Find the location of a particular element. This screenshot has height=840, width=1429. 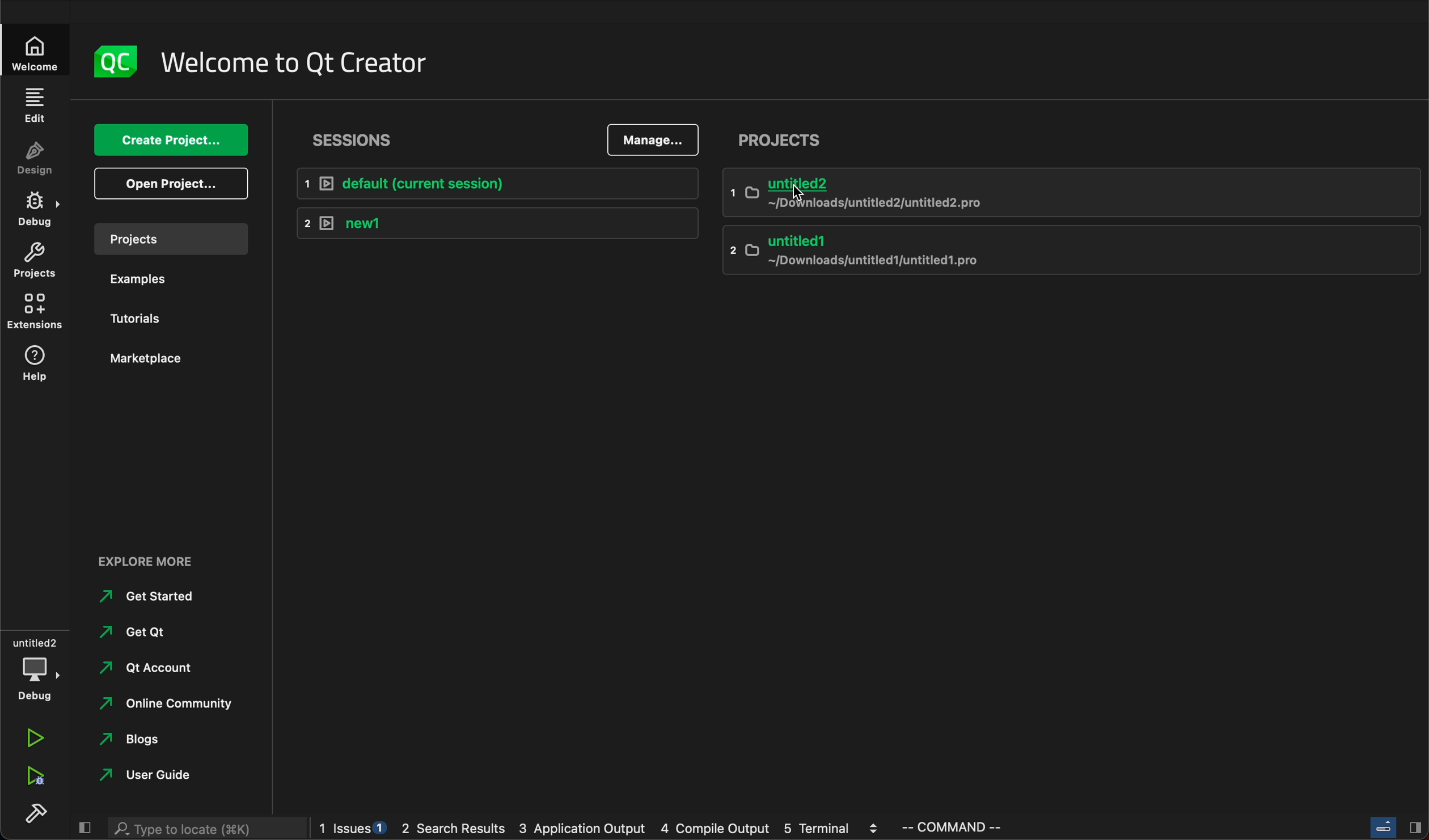

blogs is located at coordinates (164, 740).